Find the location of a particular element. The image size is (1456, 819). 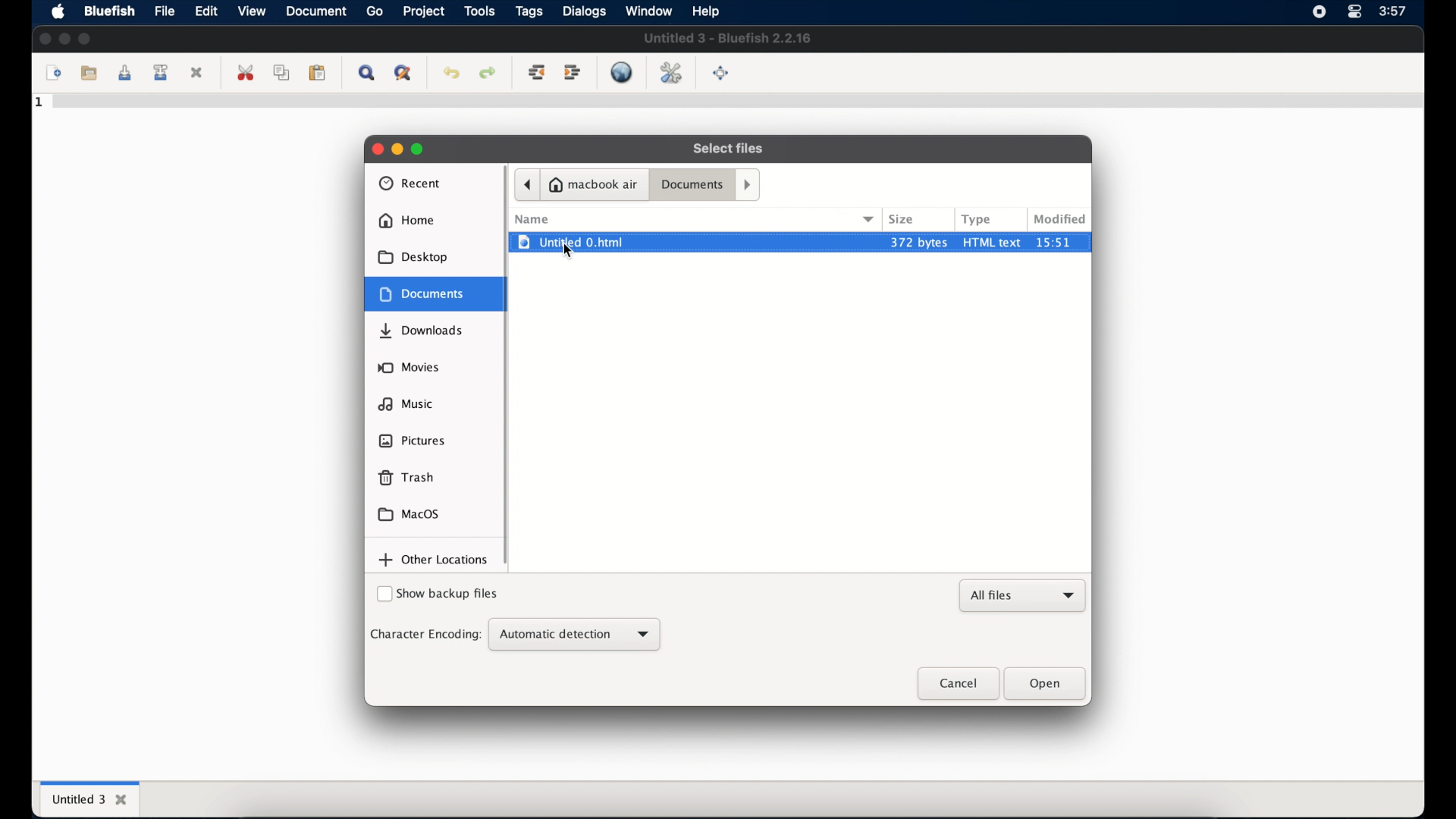

close is located at coordinates (44, 39).